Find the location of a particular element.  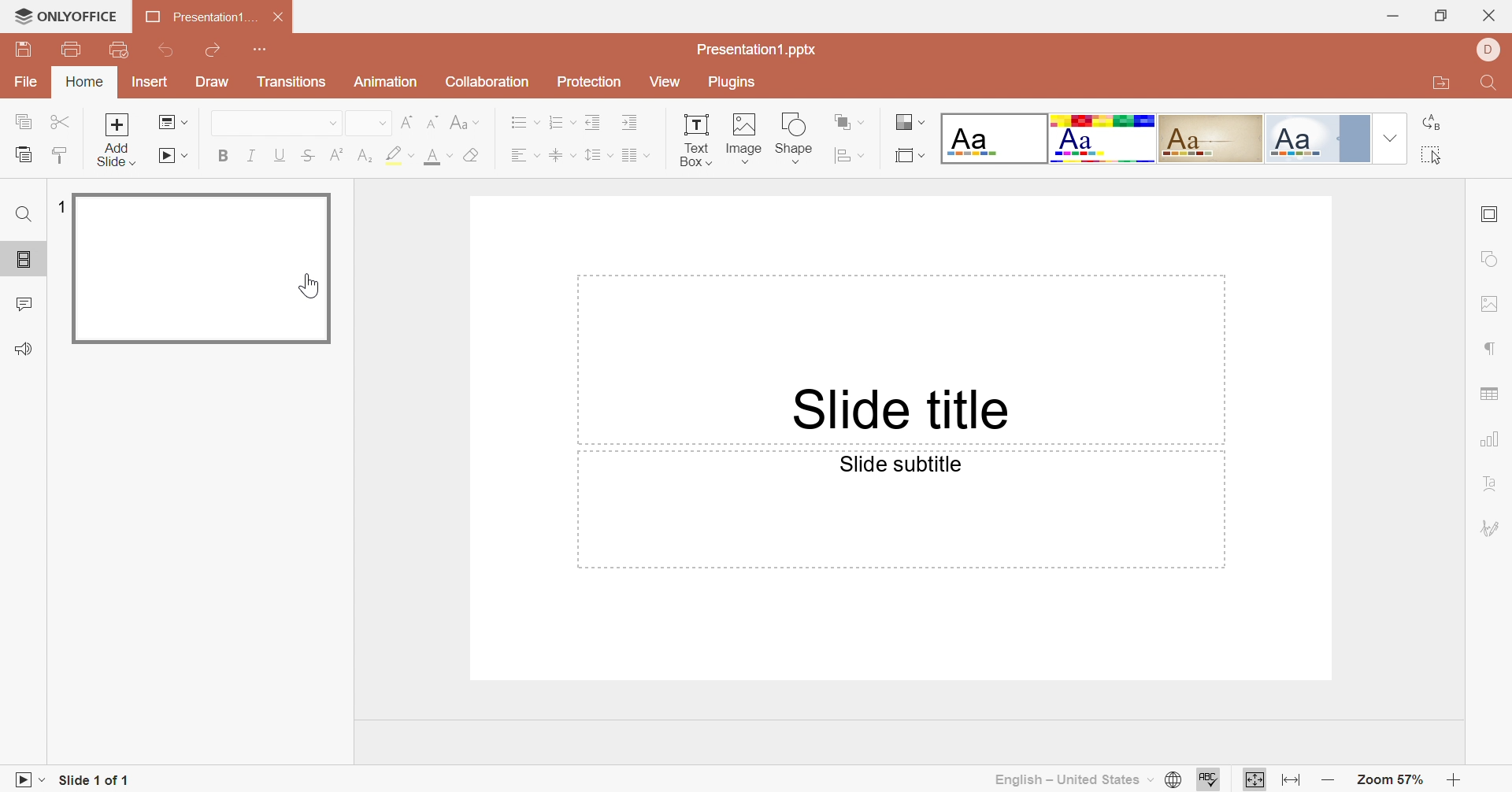

Redo is located at coordinates (213, 50).